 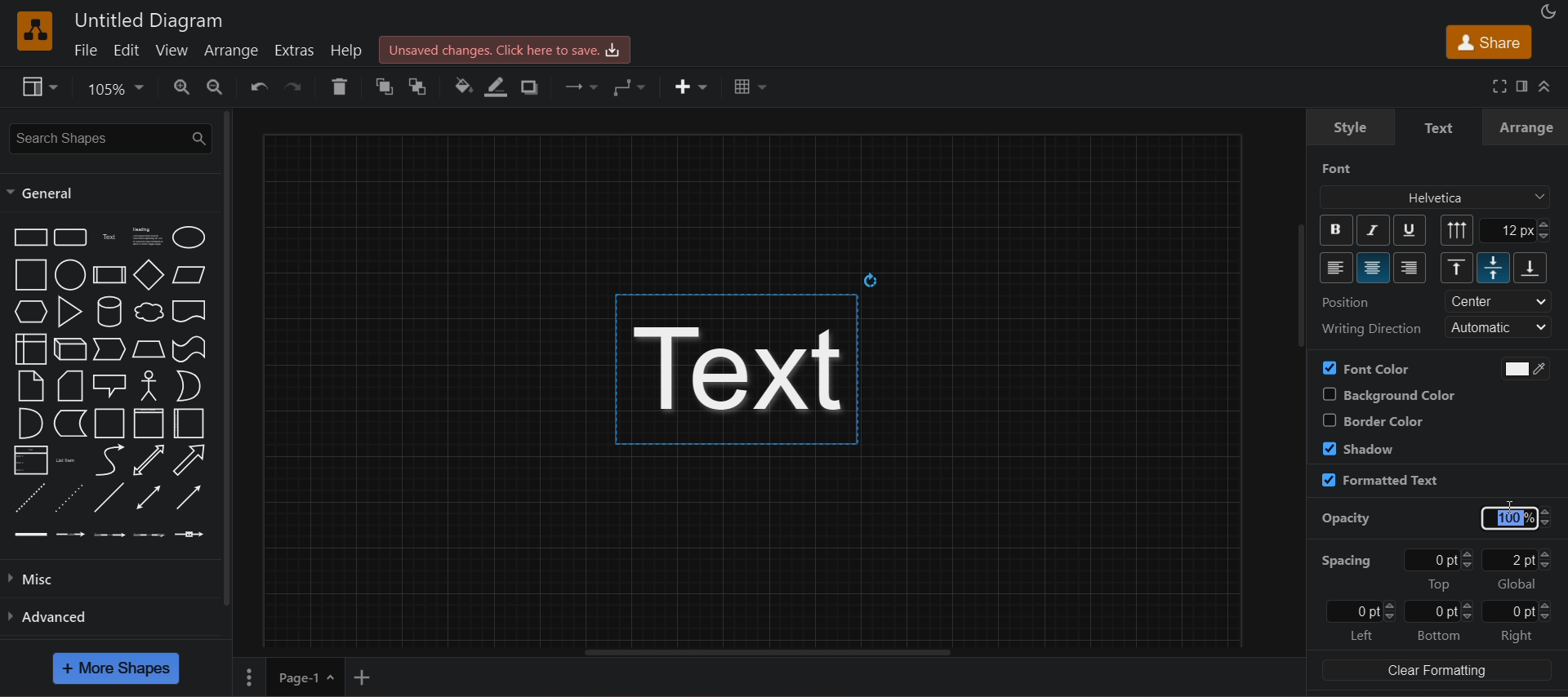 I want to click on 0pt, so click(x=1442, y=559).